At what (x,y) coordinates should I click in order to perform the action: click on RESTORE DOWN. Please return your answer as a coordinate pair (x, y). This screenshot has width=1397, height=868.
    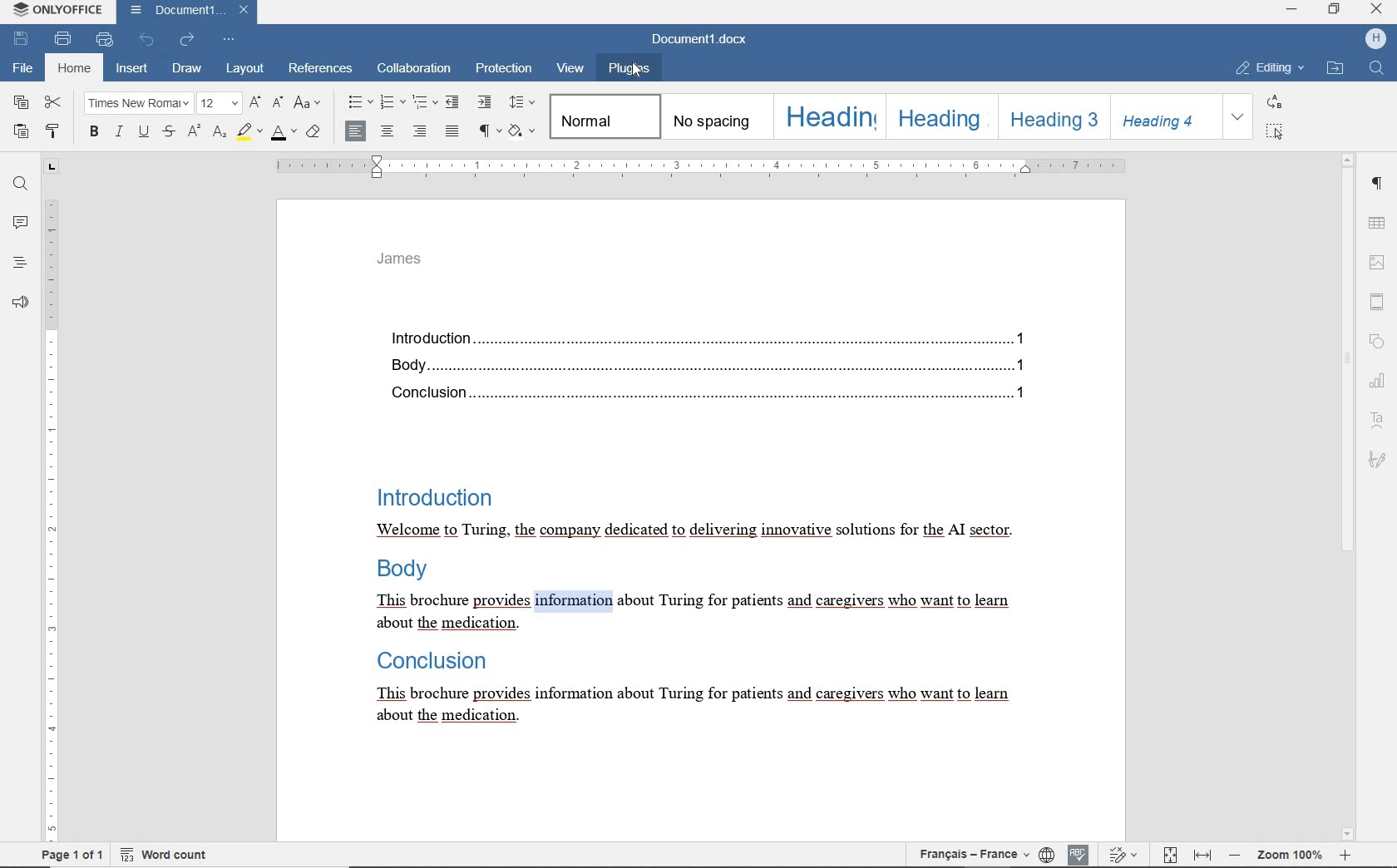
    Looking at the image, I should click on (1335, 9).